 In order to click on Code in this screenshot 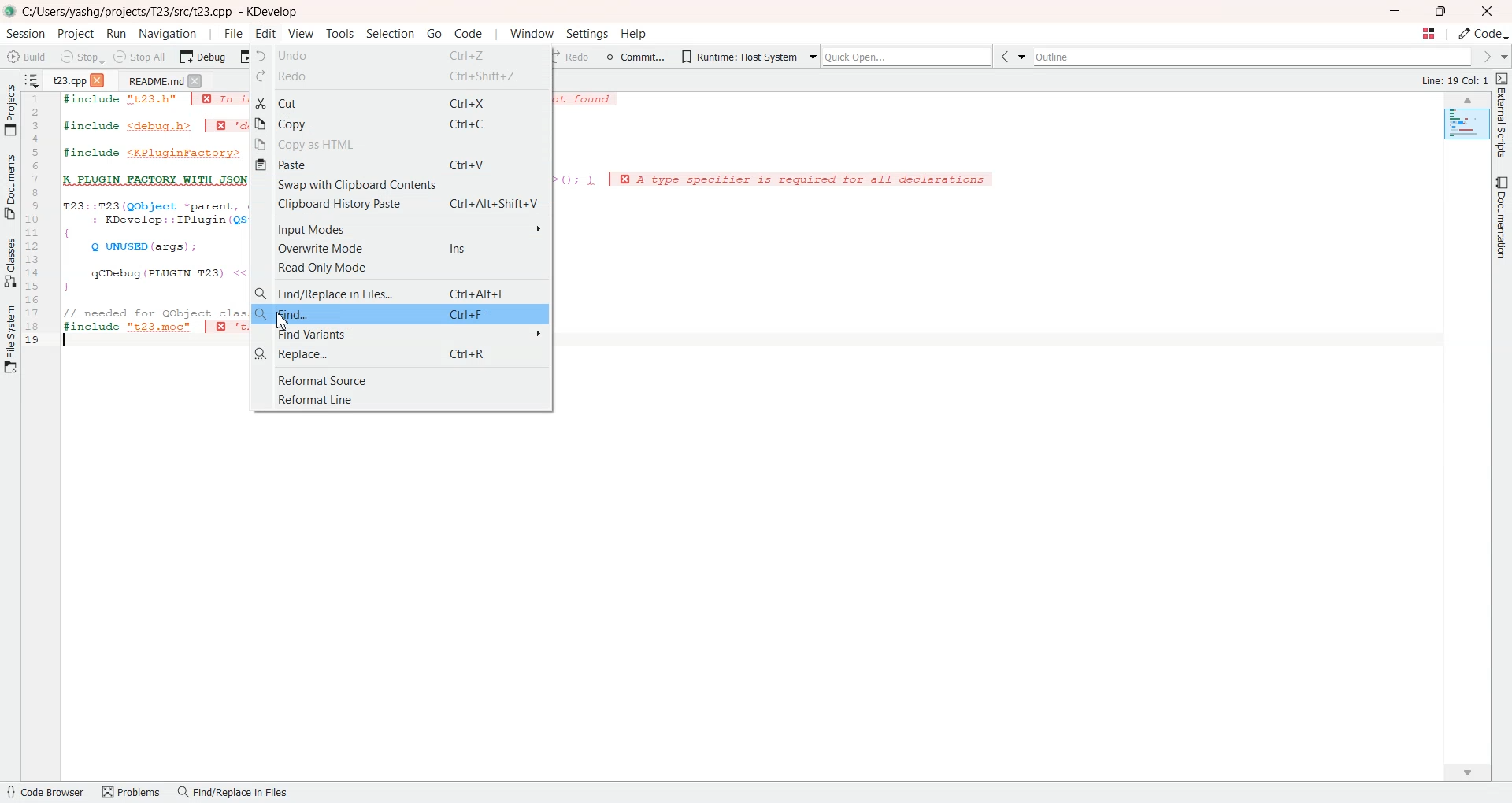, I will do `click(467, 33)`.